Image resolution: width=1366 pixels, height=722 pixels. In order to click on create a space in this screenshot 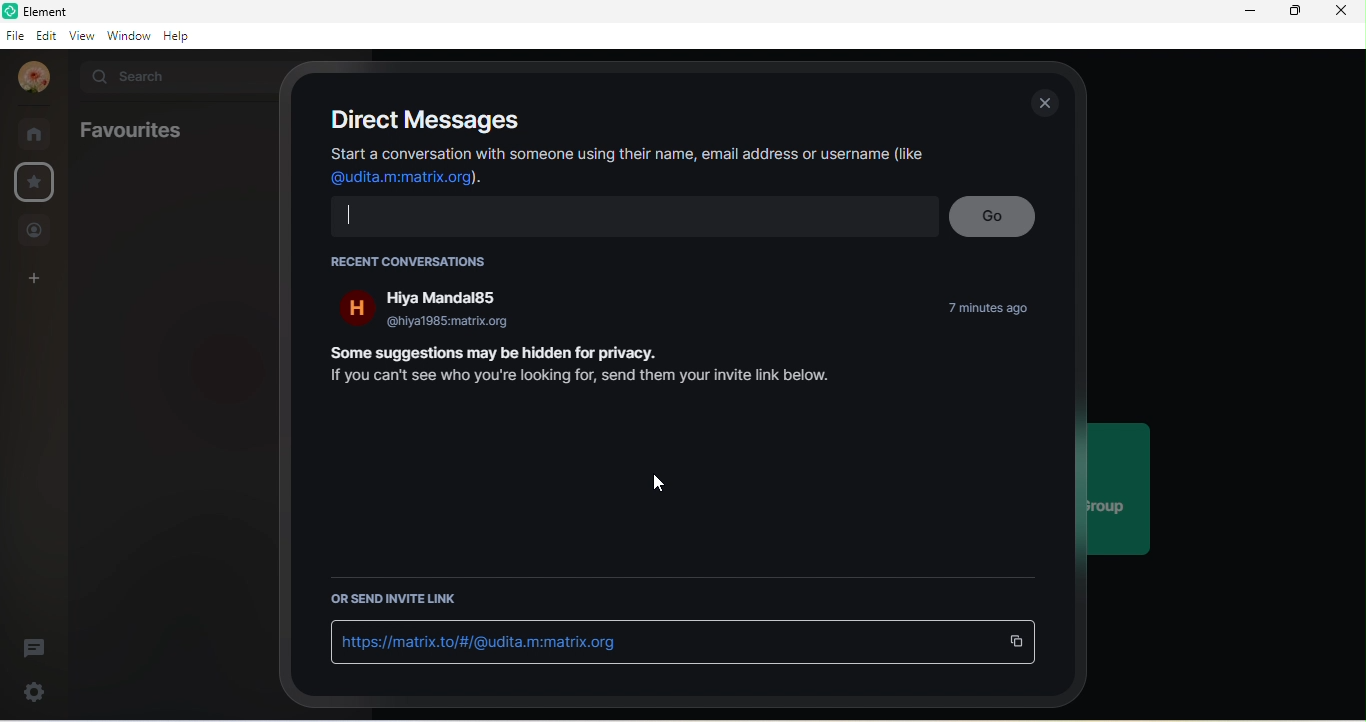, I will do `click(35, 279)`.